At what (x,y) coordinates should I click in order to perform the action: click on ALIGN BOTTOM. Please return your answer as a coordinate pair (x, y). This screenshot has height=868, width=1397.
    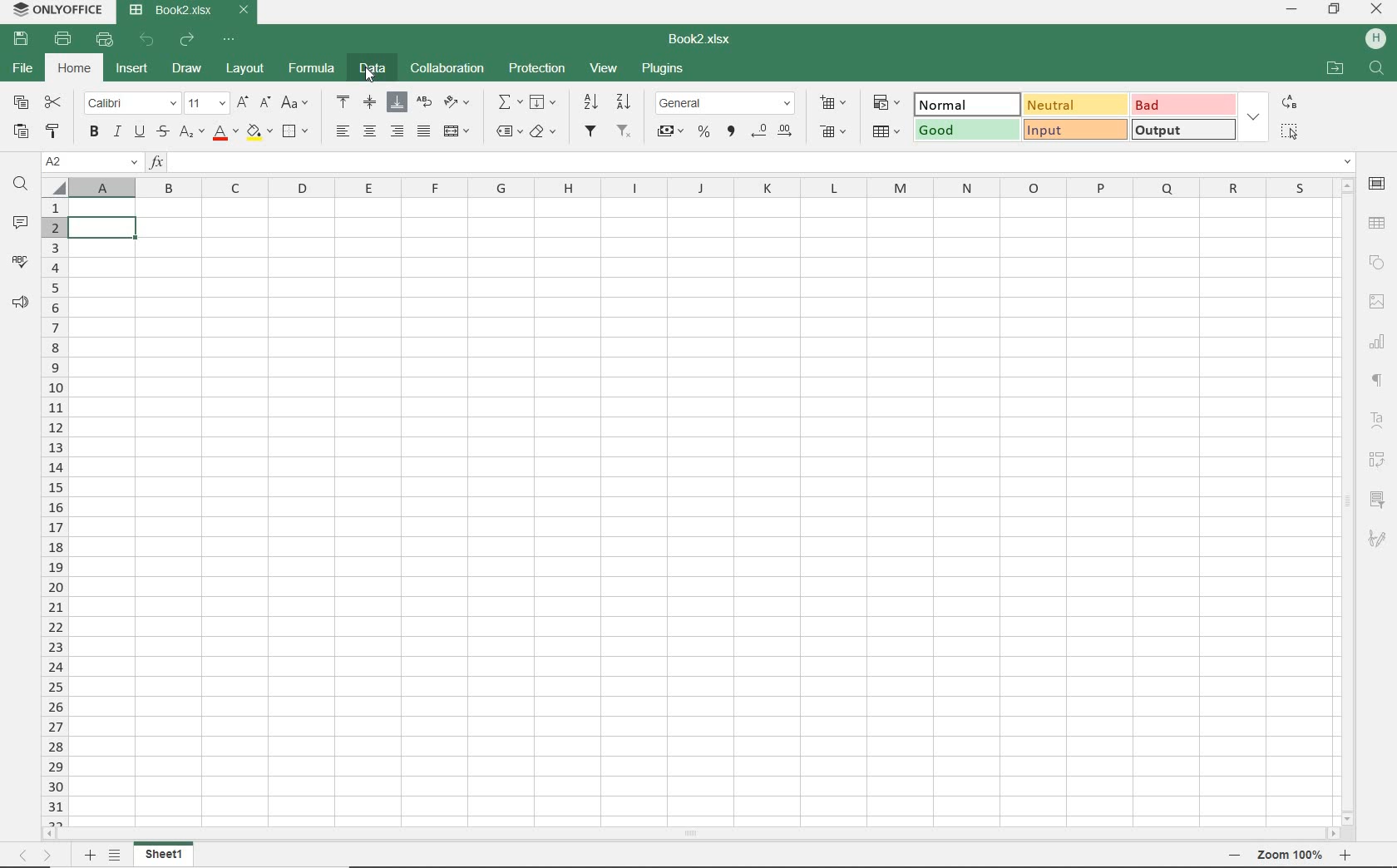
    Looking at the image, I should click on (397, 103).